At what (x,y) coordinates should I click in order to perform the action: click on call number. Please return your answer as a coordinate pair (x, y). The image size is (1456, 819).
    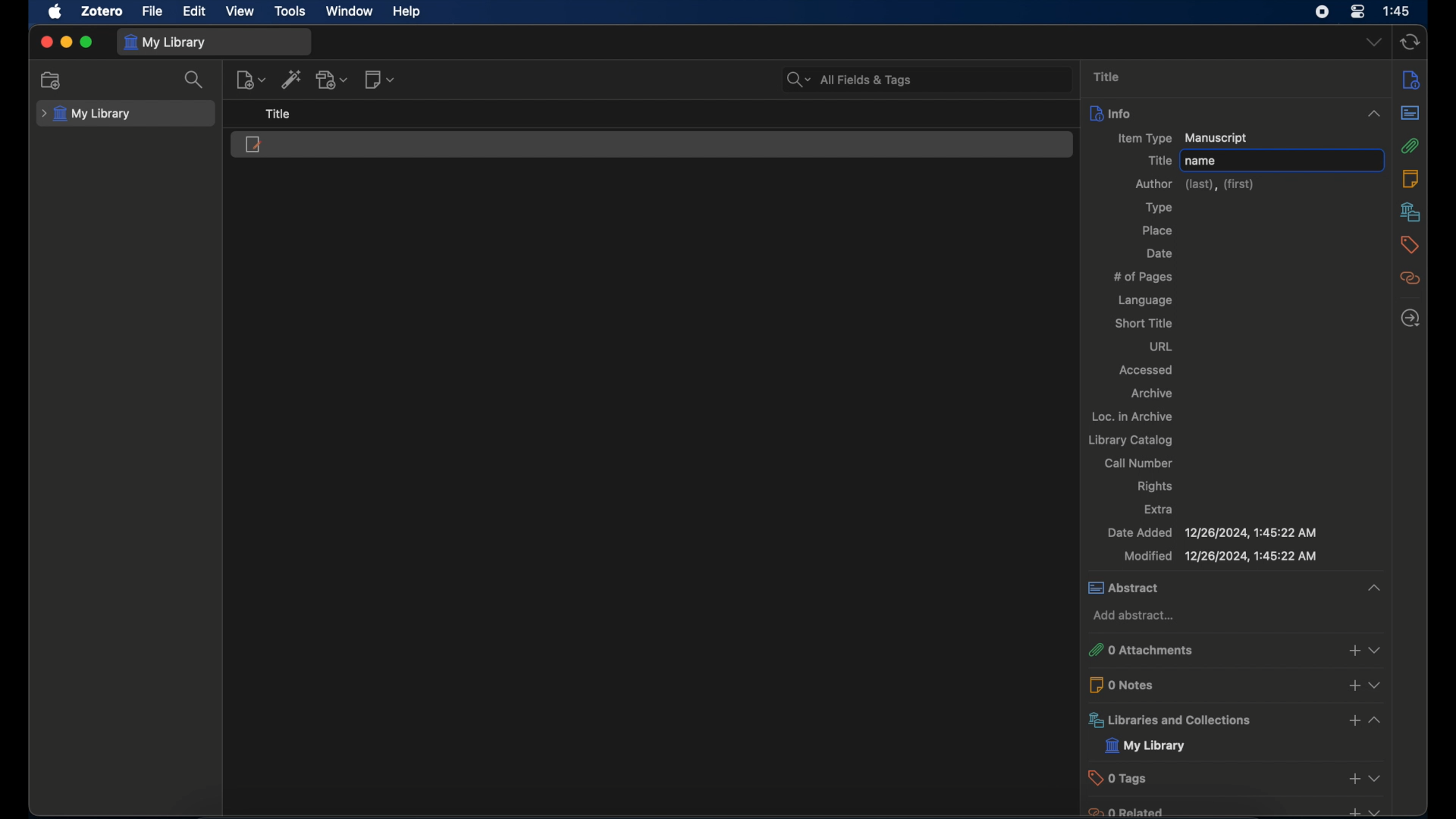
    Looking at the image, I should click on (1139, 463).